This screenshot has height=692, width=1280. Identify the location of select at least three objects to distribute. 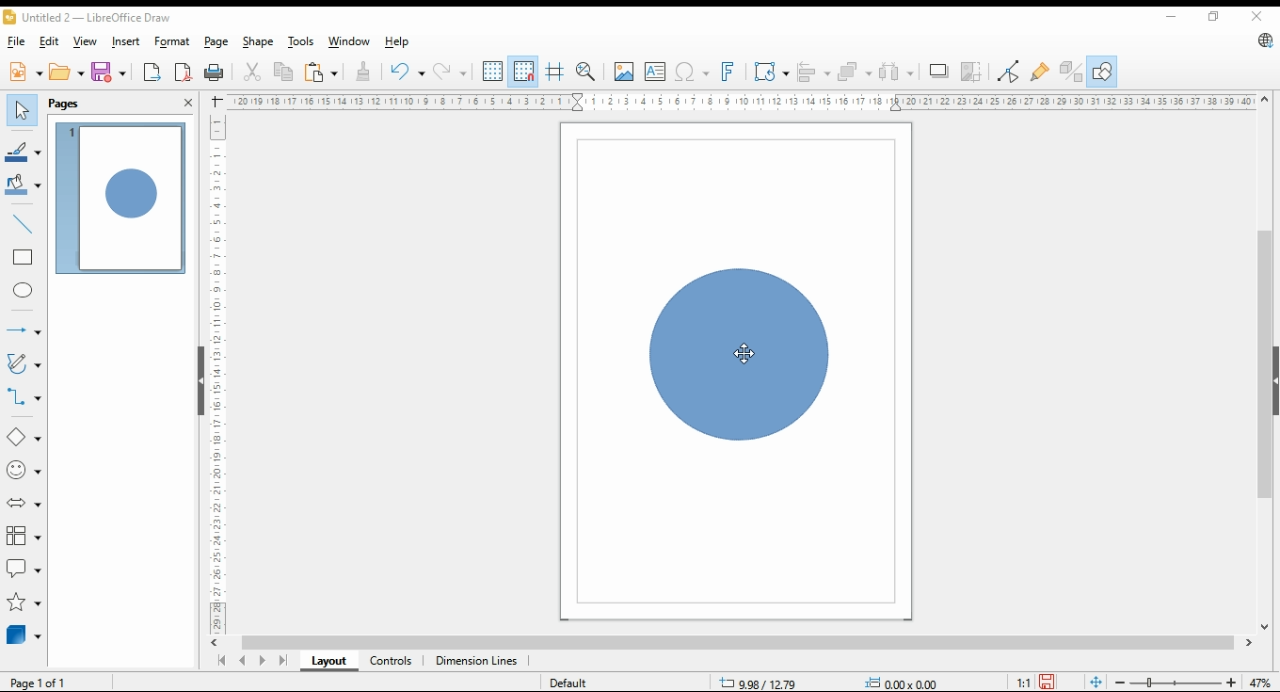
(895, 72).